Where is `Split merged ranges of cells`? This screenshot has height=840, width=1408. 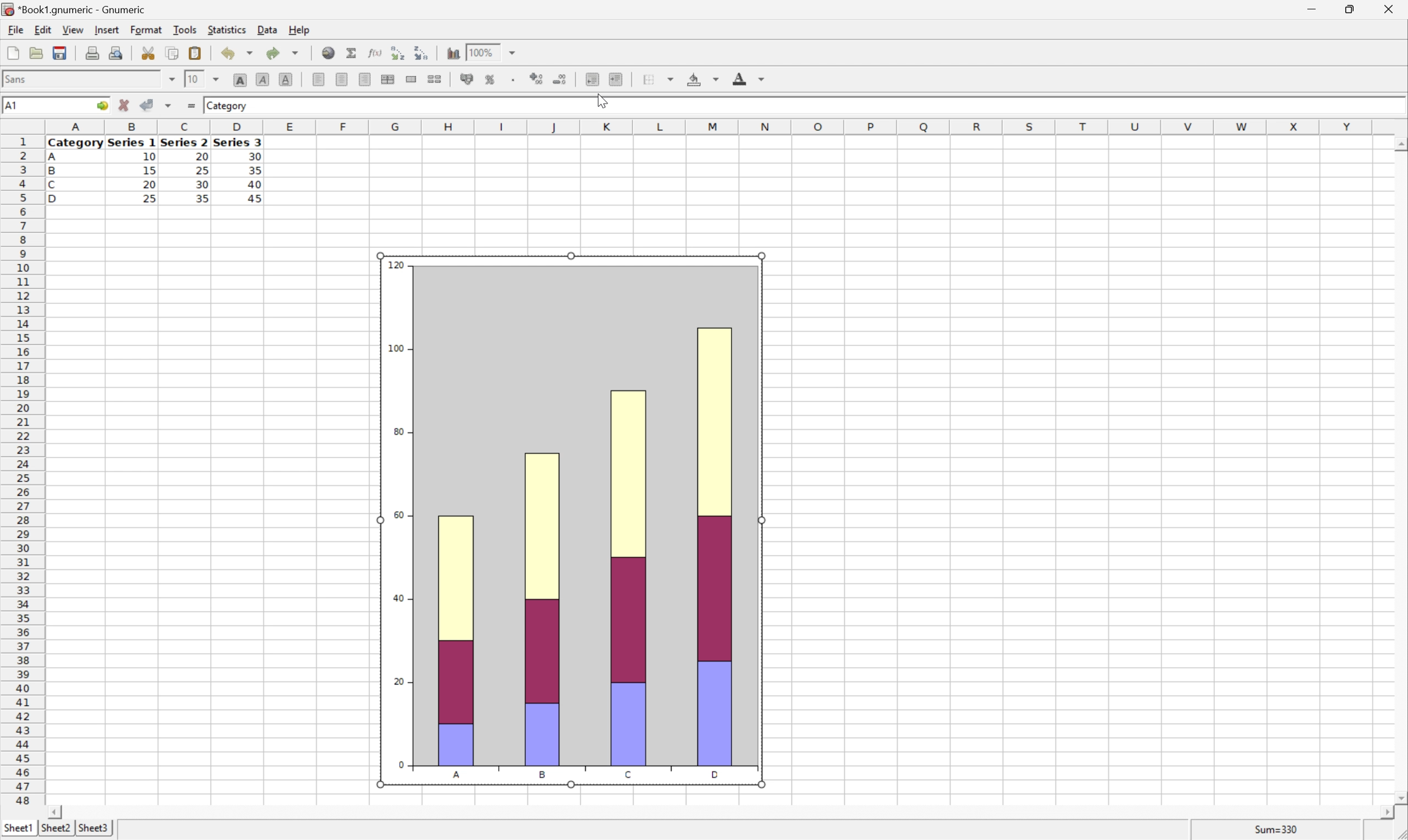
Split merged ranges of cells is located at coordinates (434, 80).